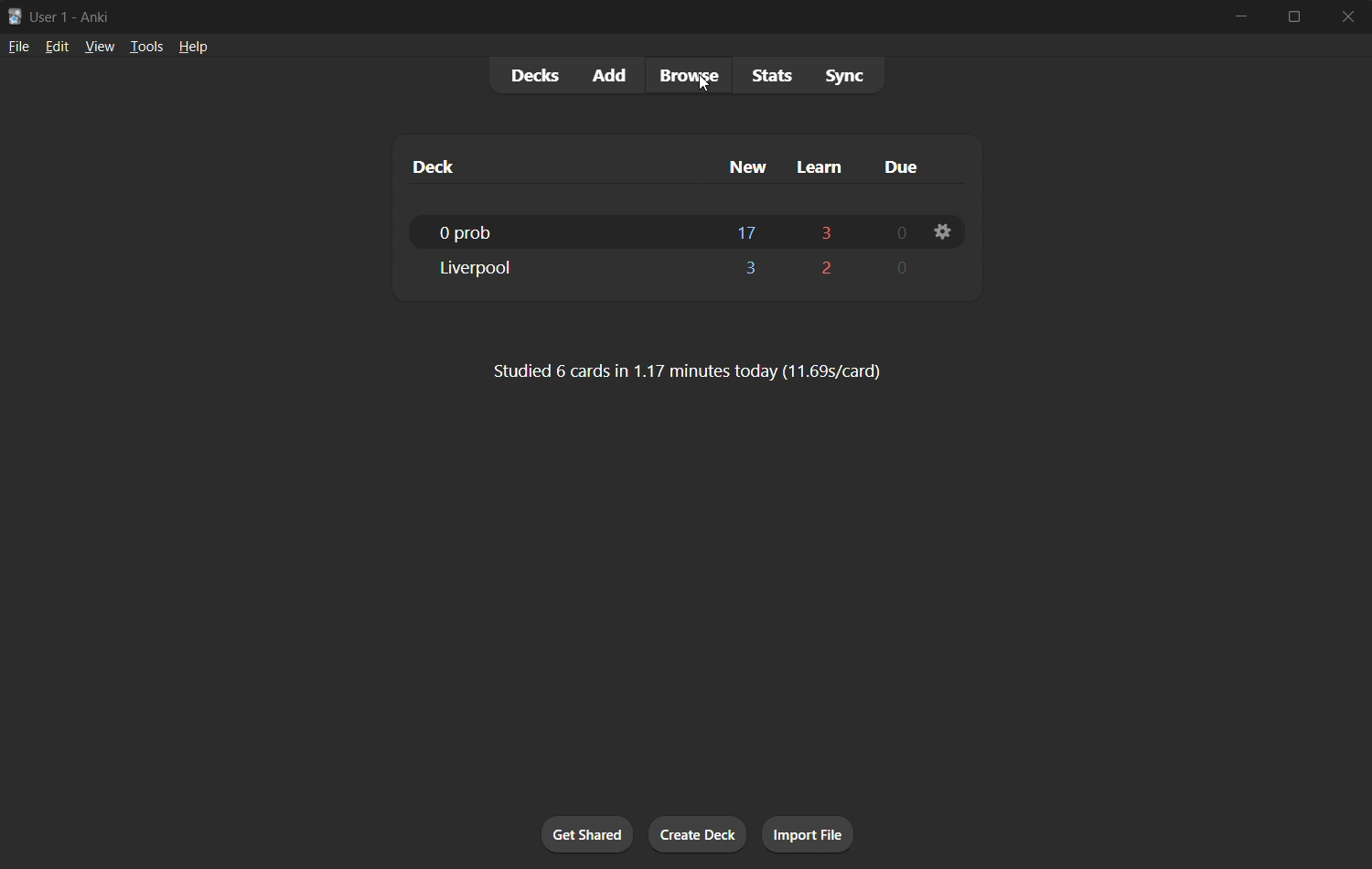 The image size is (1372, 869). I want to click on 3, so click(749, 270).